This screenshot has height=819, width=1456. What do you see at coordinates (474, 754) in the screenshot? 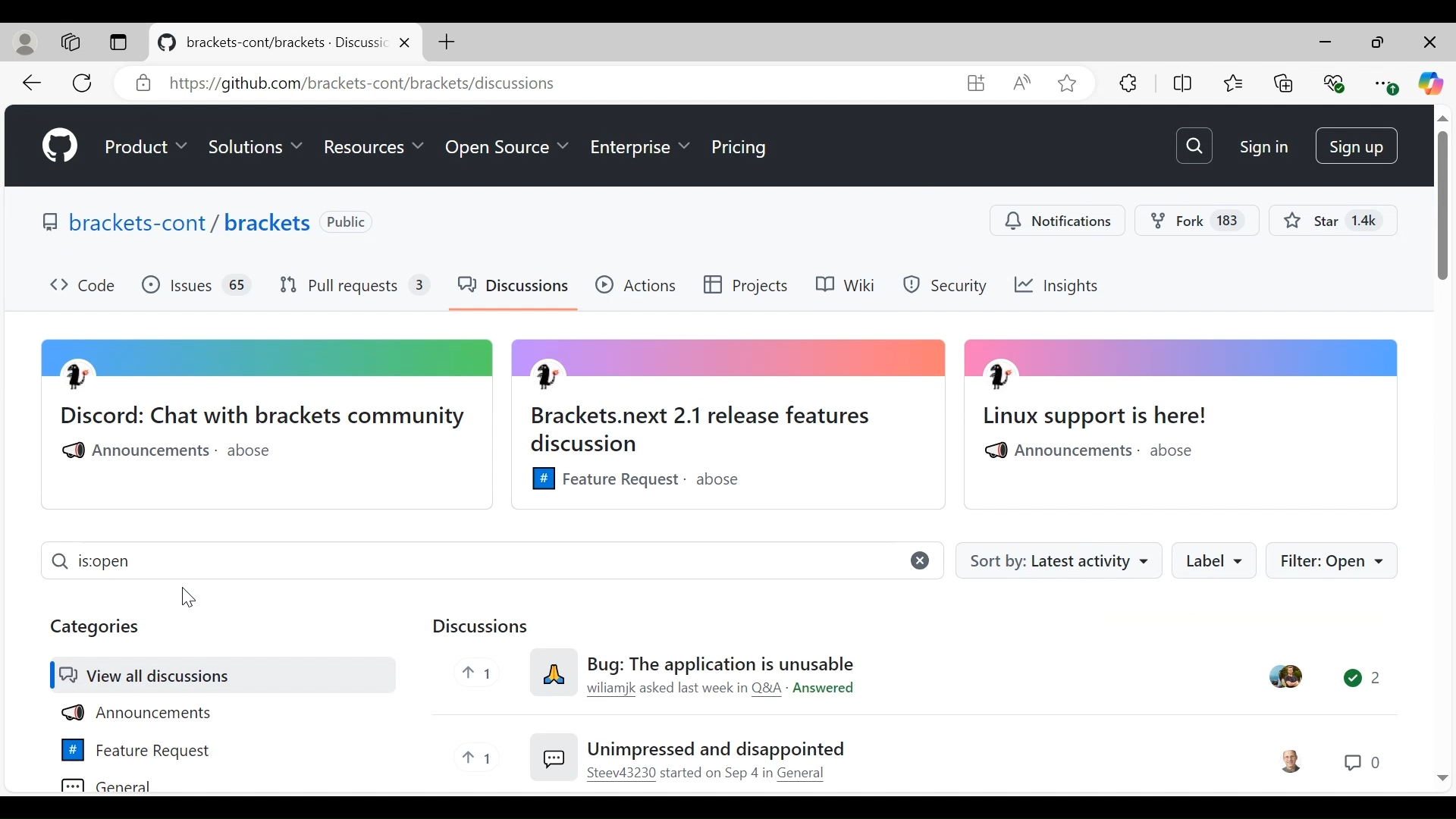
I see `Upvote` at bounding box center [474, 754].